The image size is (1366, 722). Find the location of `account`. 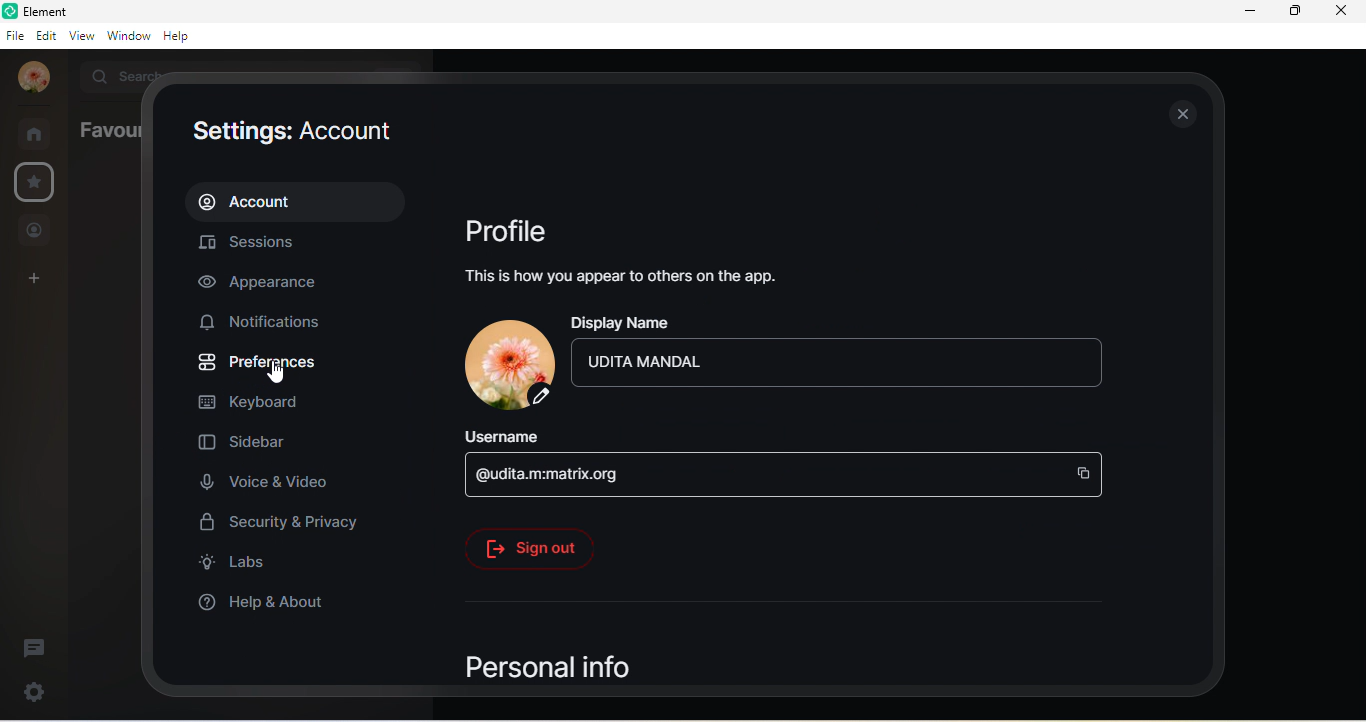

account is located at coordinates (299, 199).